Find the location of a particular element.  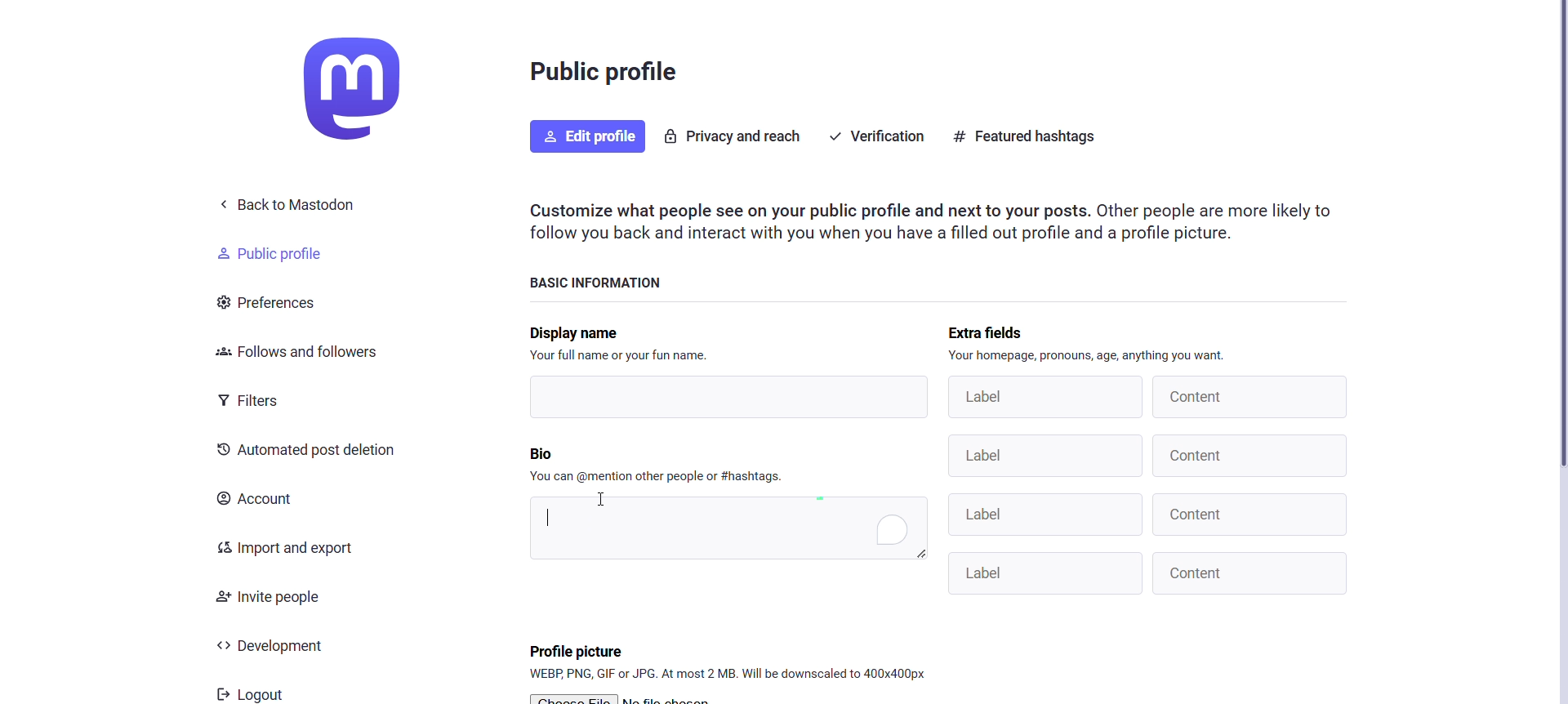

Verification is located at coordinates (875, 136).